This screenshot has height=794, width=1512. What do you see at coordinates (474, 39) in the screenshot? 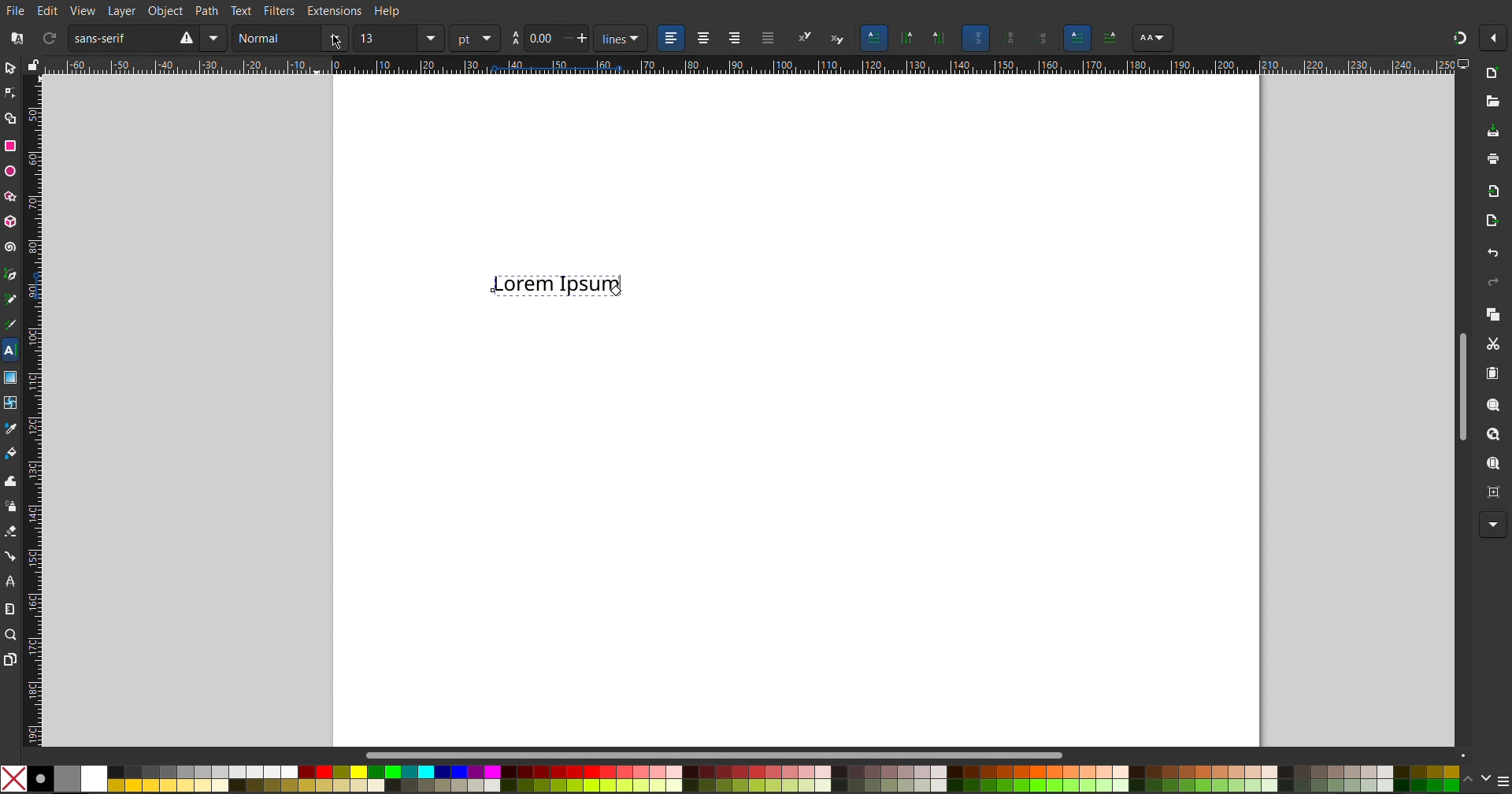
I see `unit` at bounding box center [474, 39].